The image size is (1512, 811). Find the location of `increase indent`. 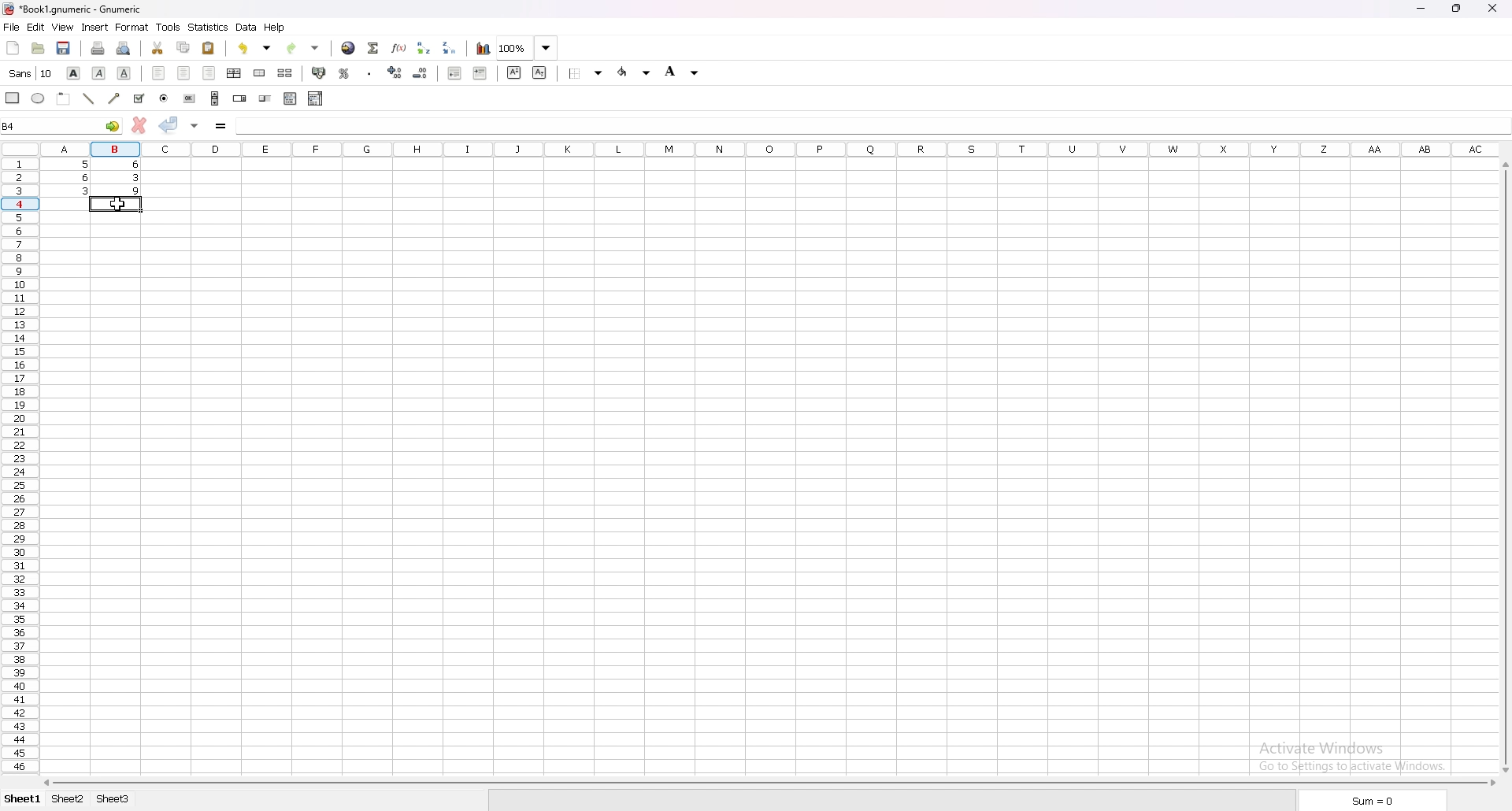

increase indent is located at coordinates (480, 73).